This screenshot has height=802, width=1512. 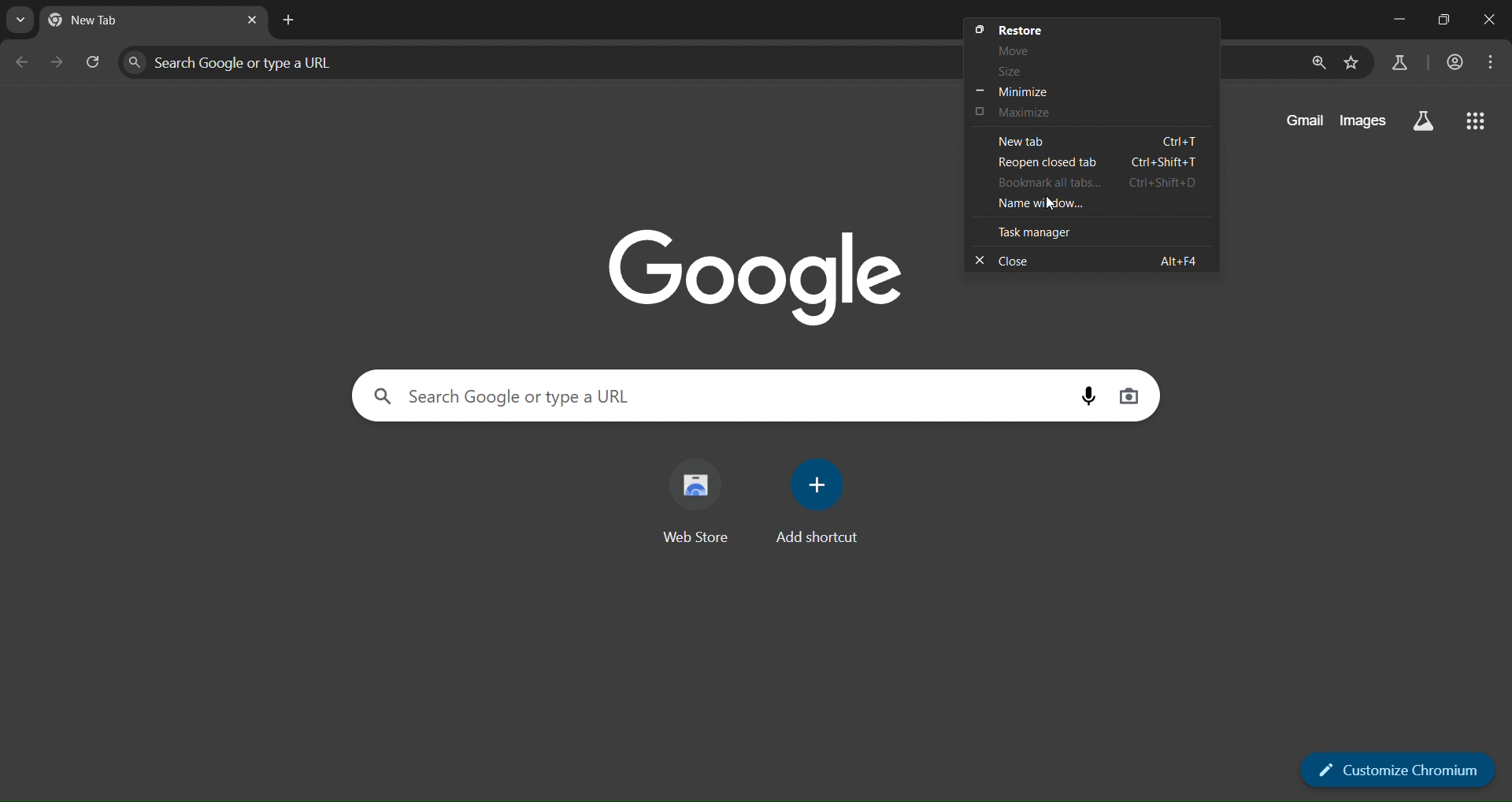 I want to click on Search Google or type a URL, so click(x=250, y=62).